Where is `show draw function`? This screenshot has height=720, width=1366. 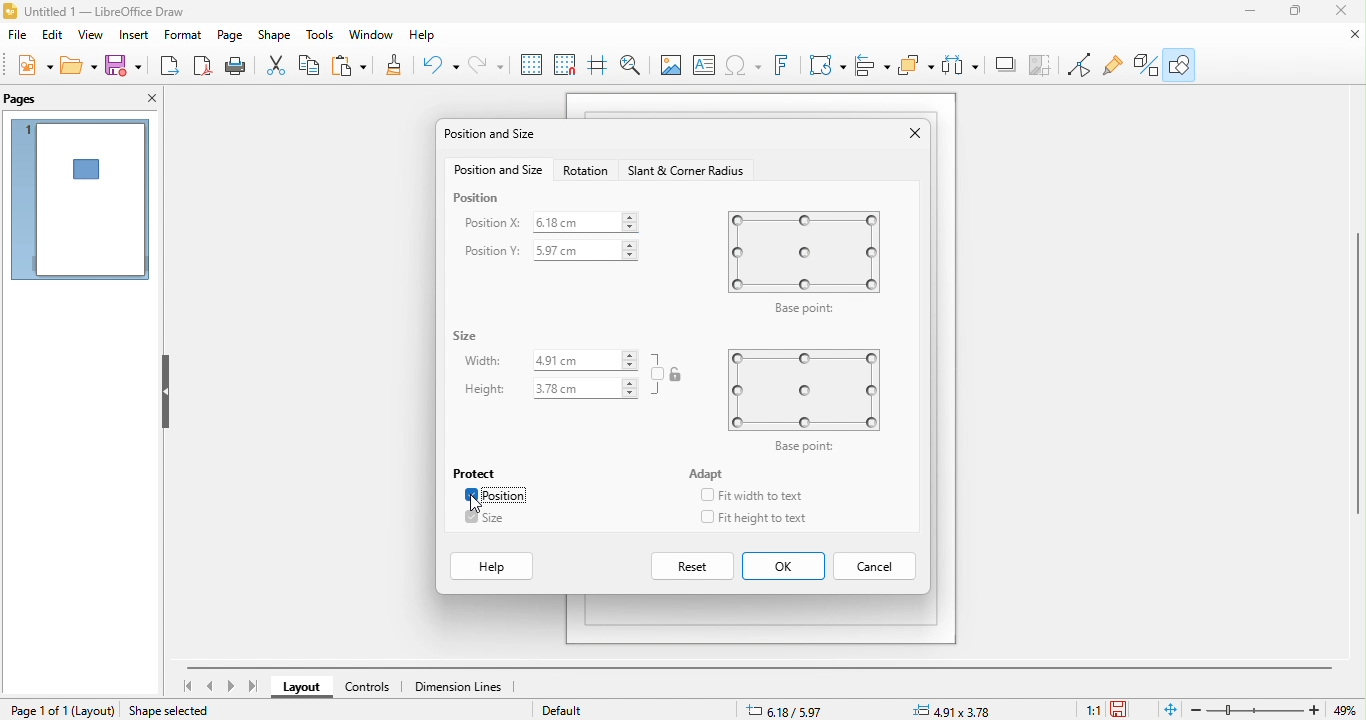 show draw function is located at coordinates (1179, 63).